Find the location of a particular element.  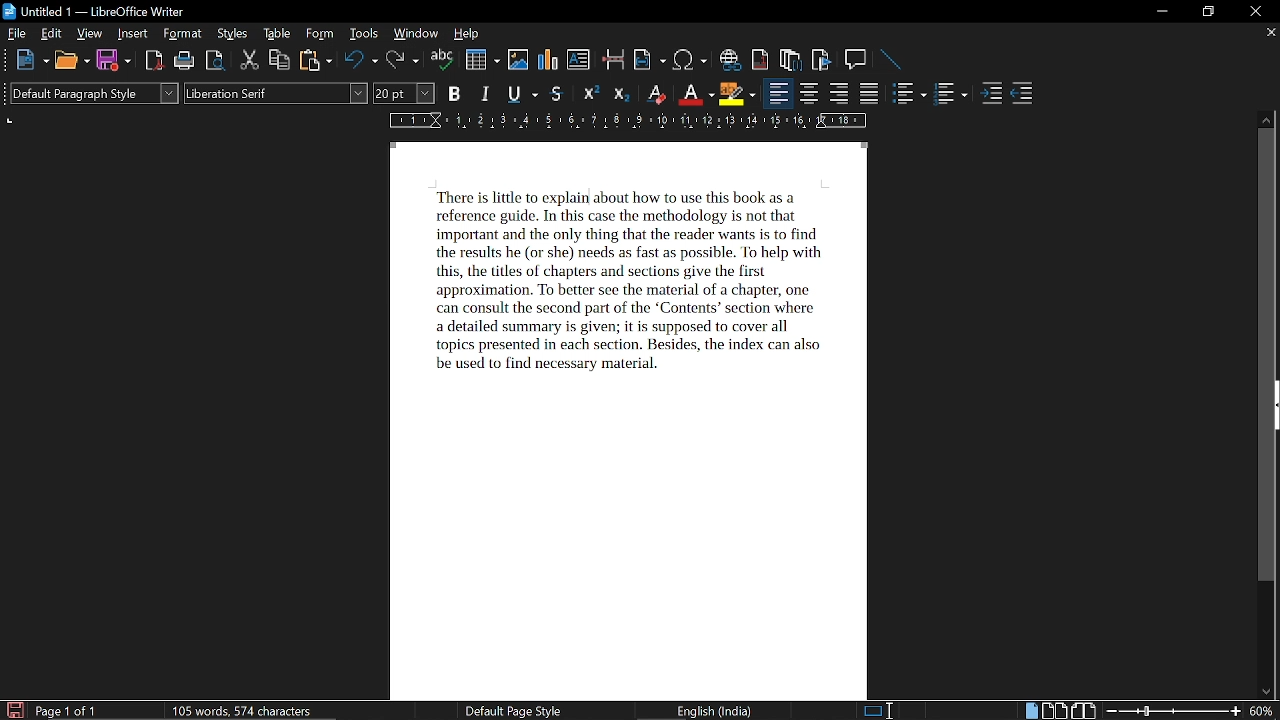

 is located at coordinates (8, 60).